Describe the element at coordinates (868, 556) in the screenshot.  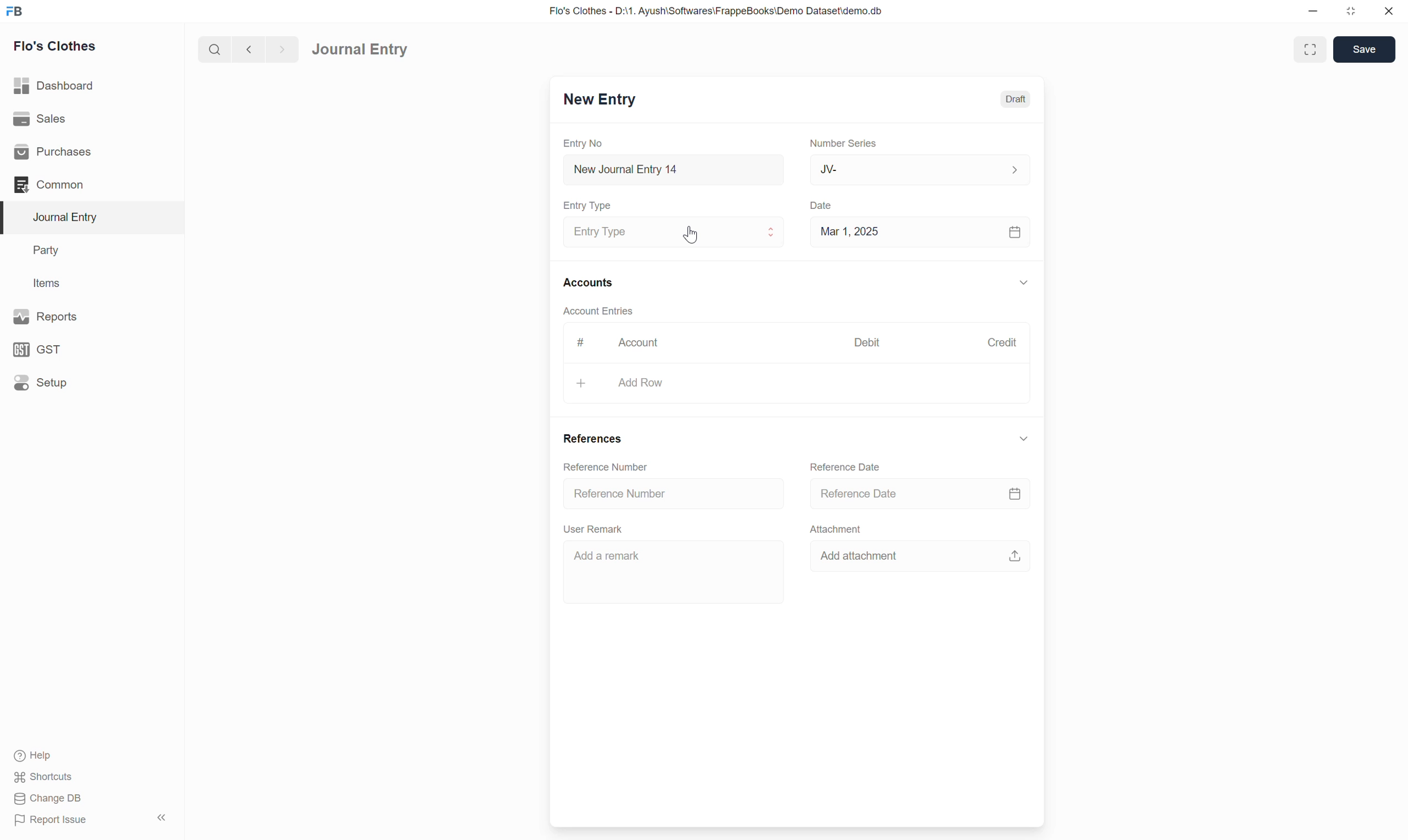
I see `Add attachment` at that location.